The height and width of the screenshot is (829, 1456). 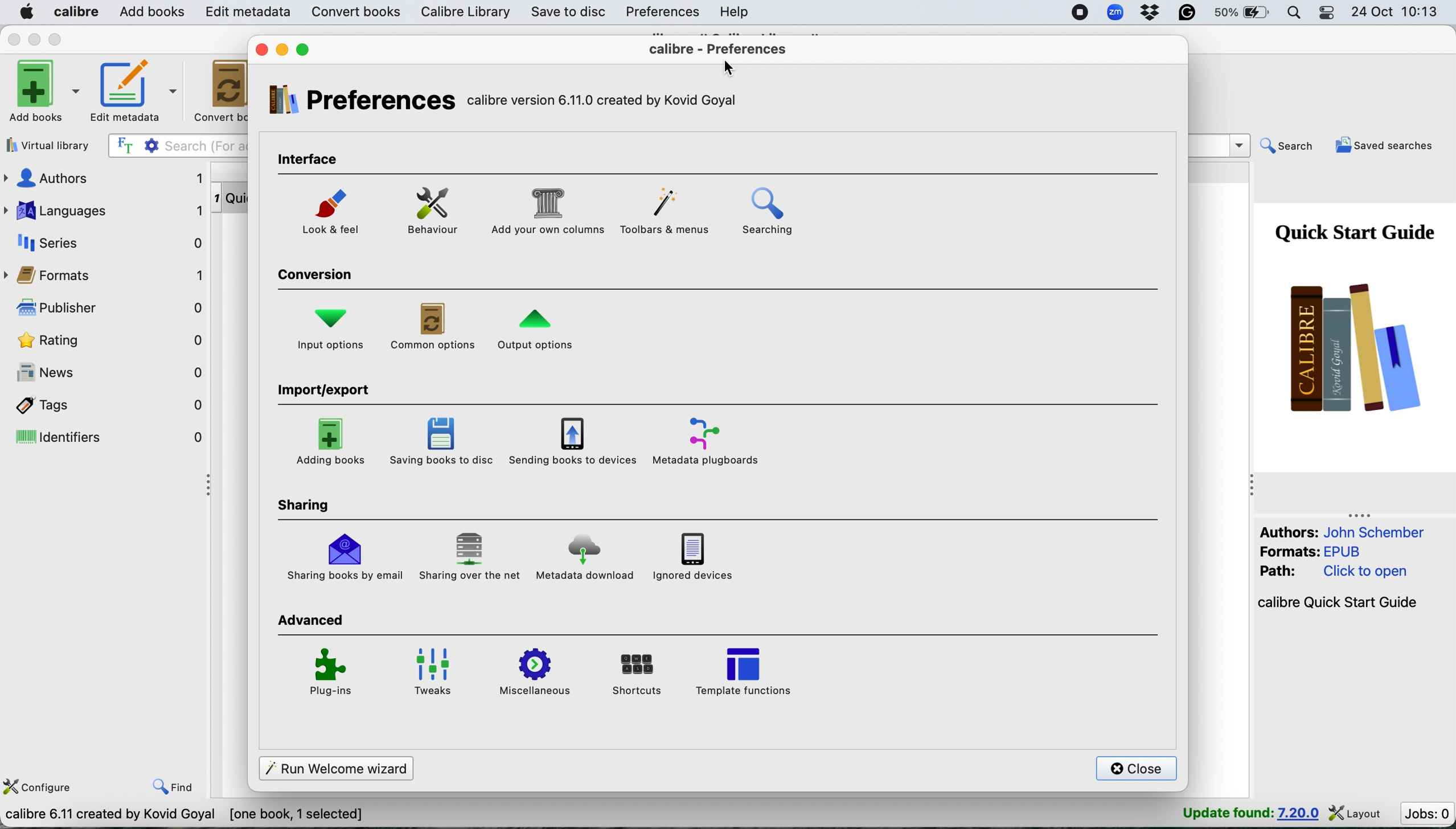 What do you see at coordinates (716, 48) in the screenshot?
I see `calibre preferences` at bounding box center [716, 48].